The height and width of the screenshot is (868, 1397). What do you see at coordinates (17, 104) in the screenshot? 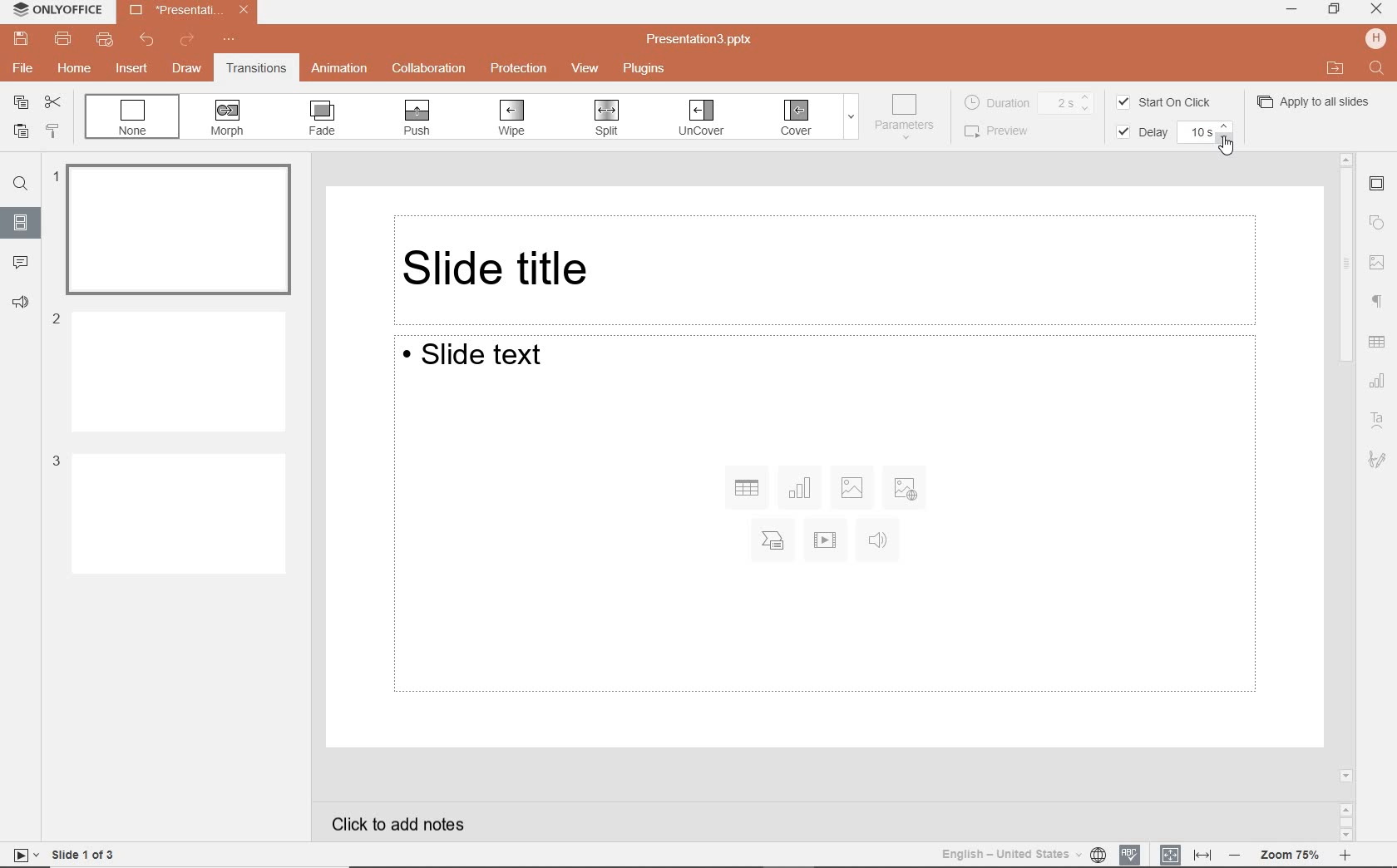
I see `copy` at bounding box center [17, 104].